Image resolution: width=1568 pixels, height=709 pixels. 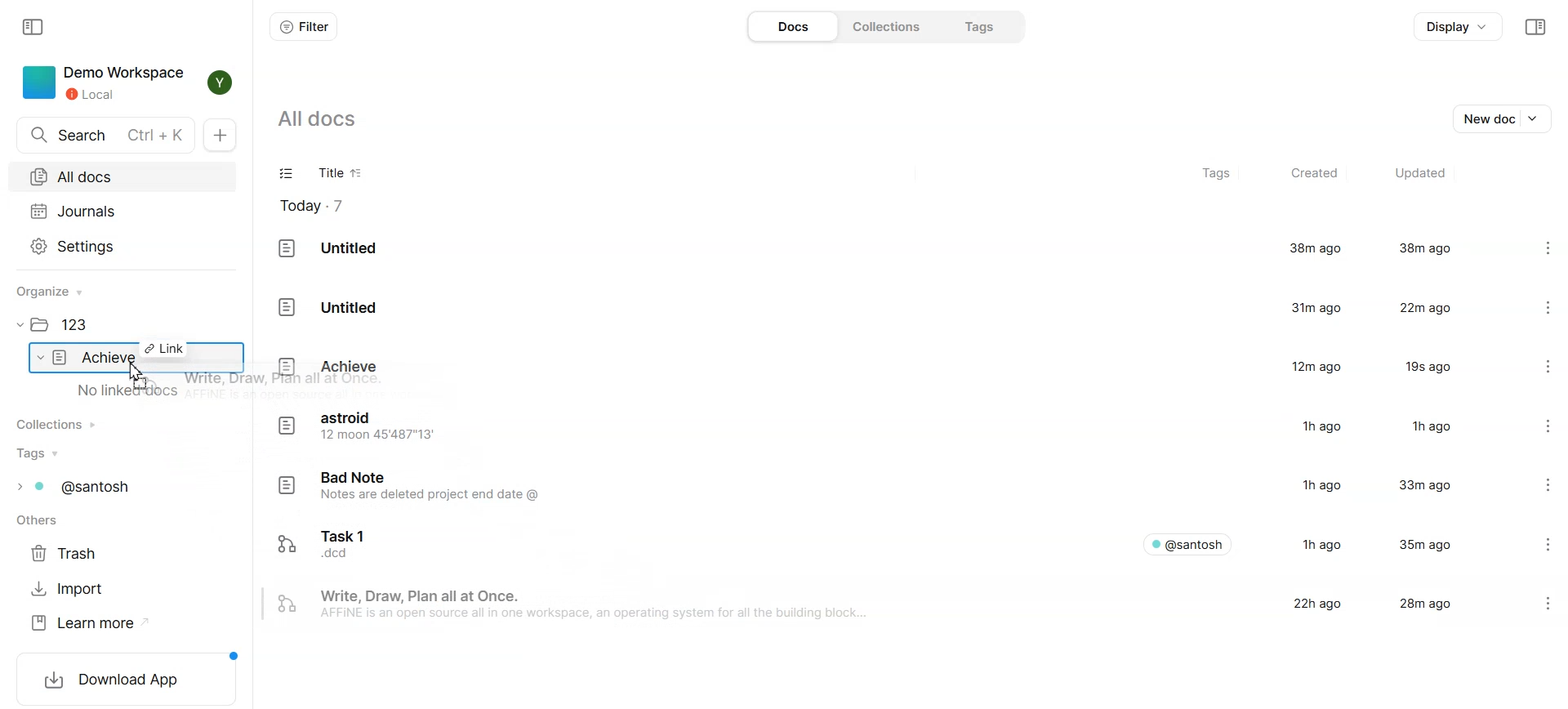 What do you see at coordinates (69, 554) in the screenshot?
I see `Trash` at bounding box center [69, 554].